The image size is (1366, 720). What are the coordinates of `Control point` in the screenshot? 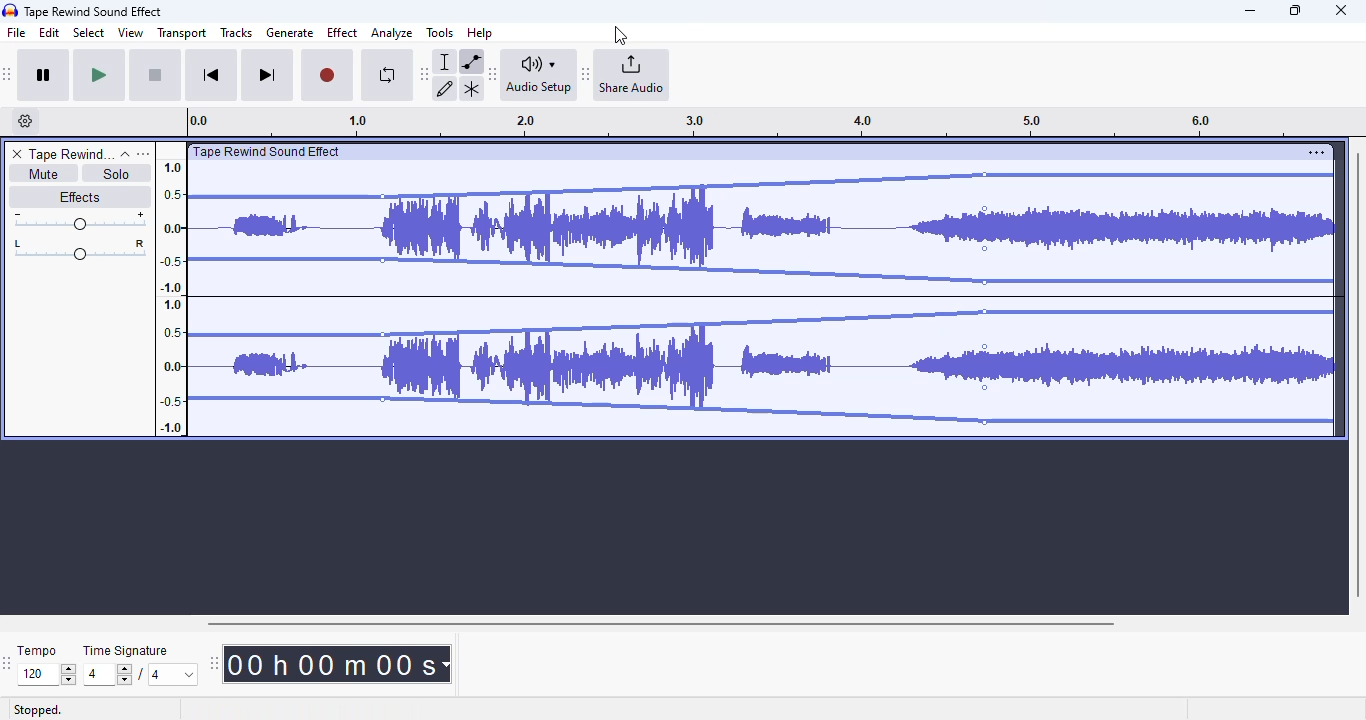 It's located at (382, 260).